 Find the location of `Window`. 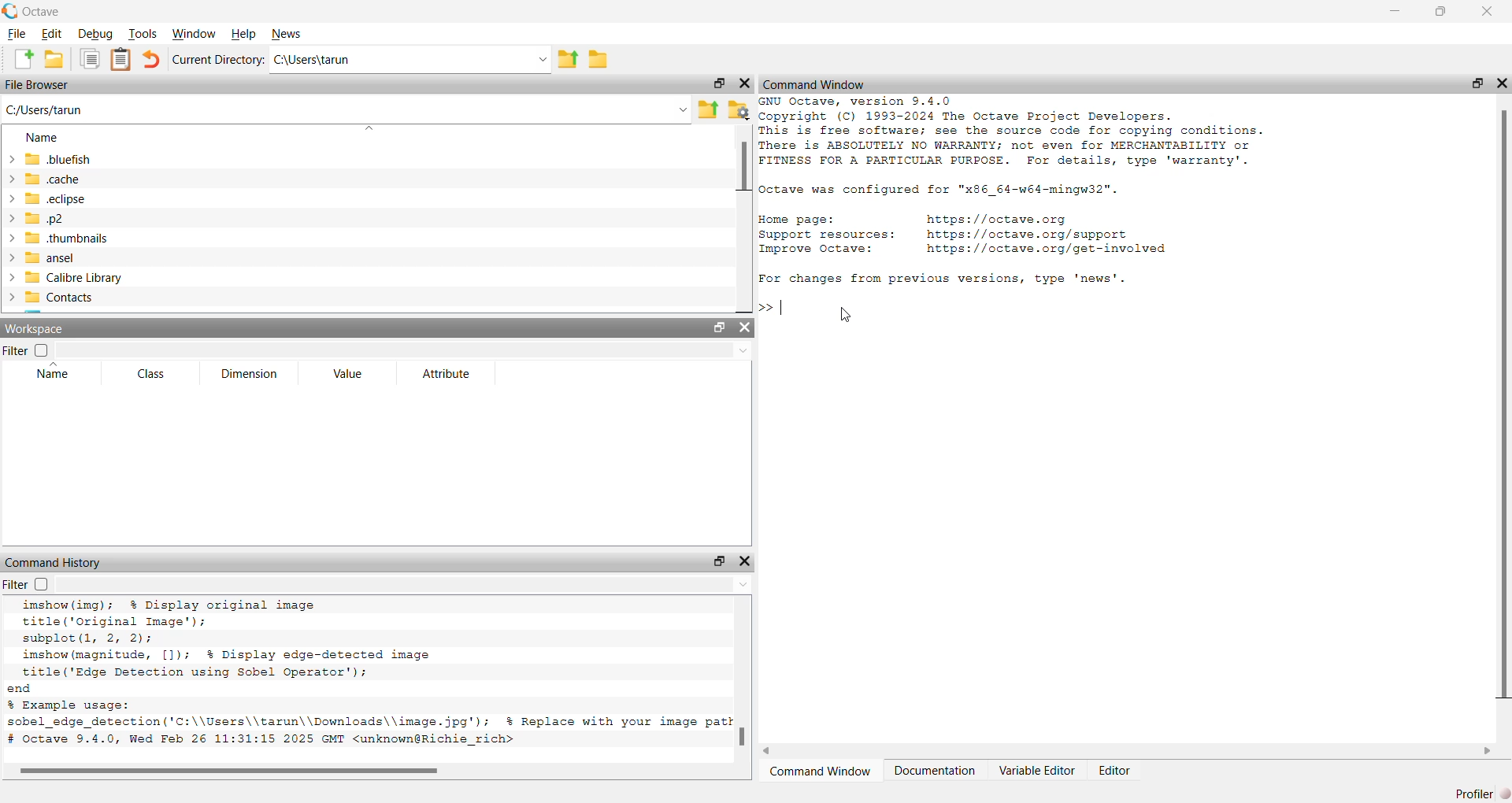

Window is located at coordinates (193, 33).